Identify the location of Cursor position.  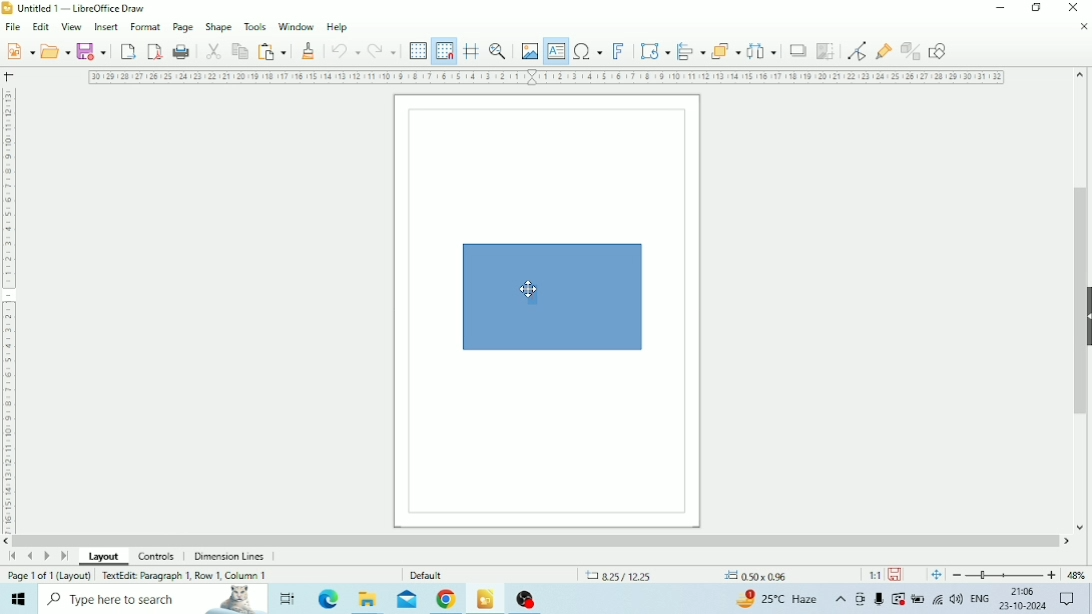
(688, 575).